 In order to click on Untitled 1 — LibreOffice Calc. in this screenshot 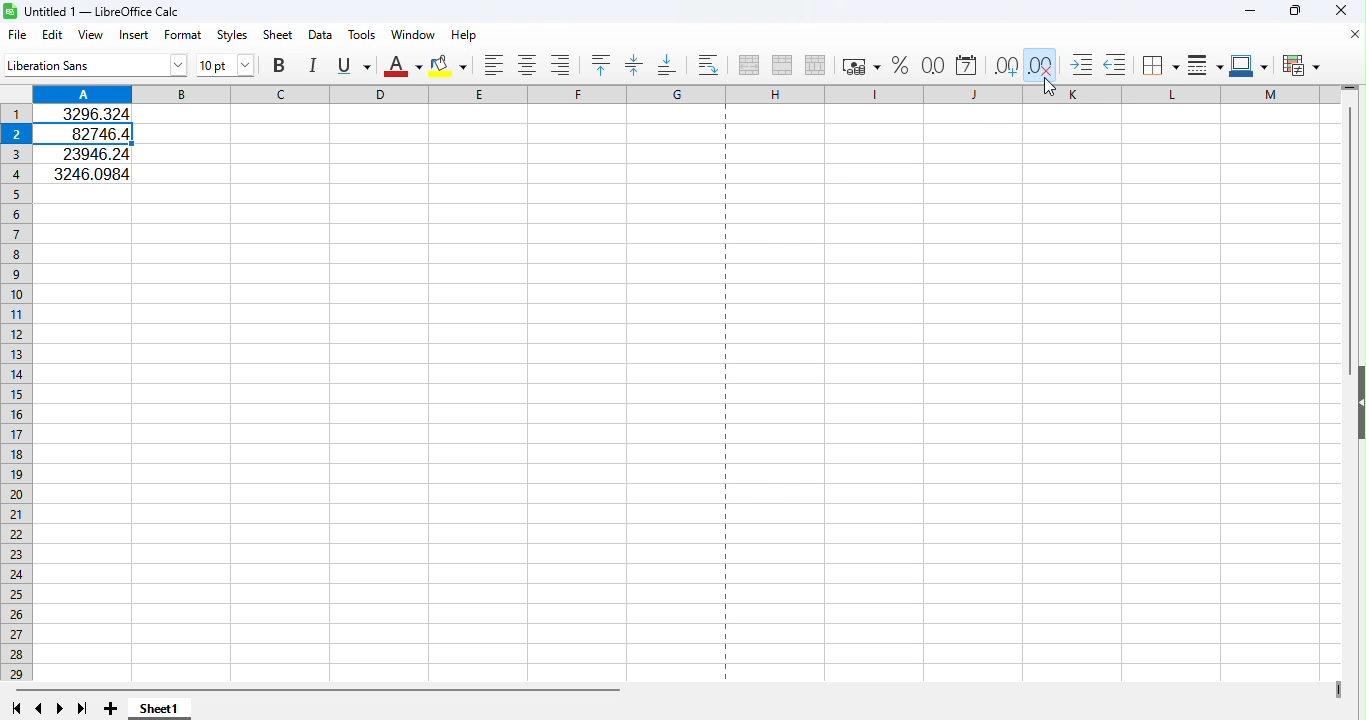, I will do `click(96, 10)`.